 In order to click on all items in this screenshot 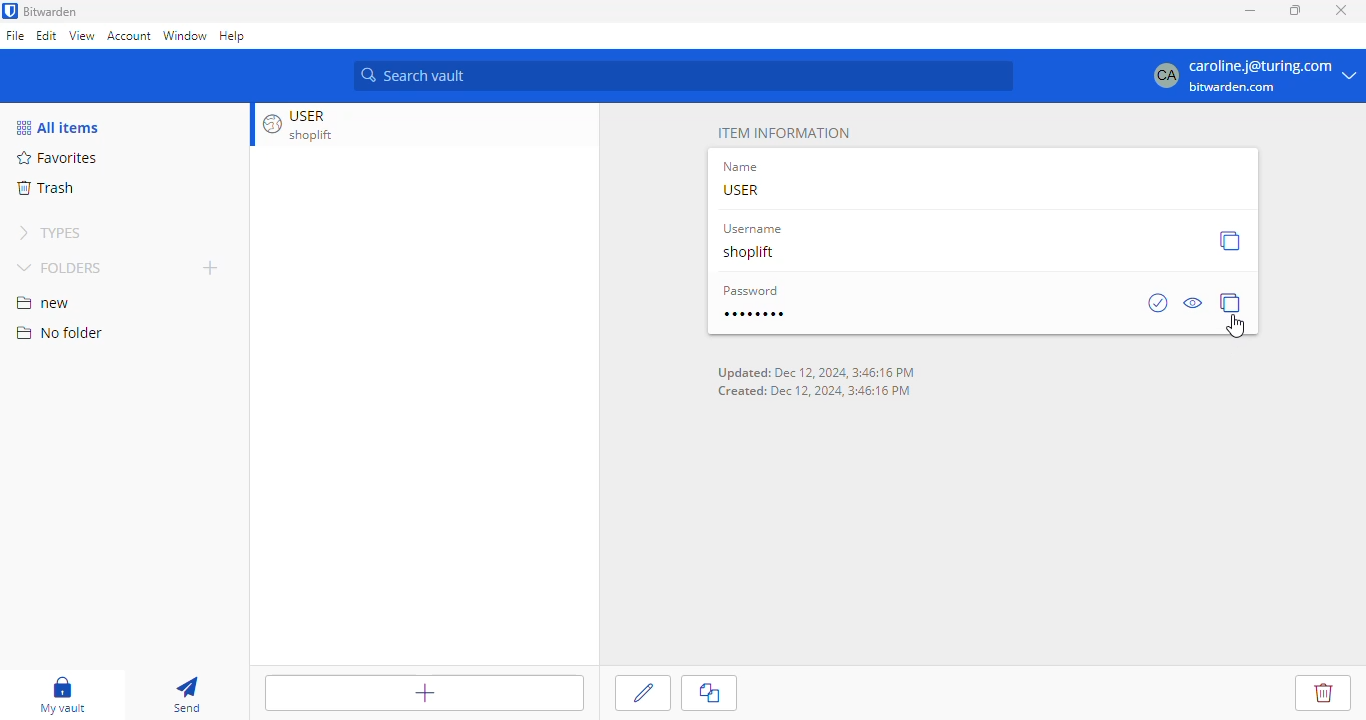, I will do `click(59, 128)`.